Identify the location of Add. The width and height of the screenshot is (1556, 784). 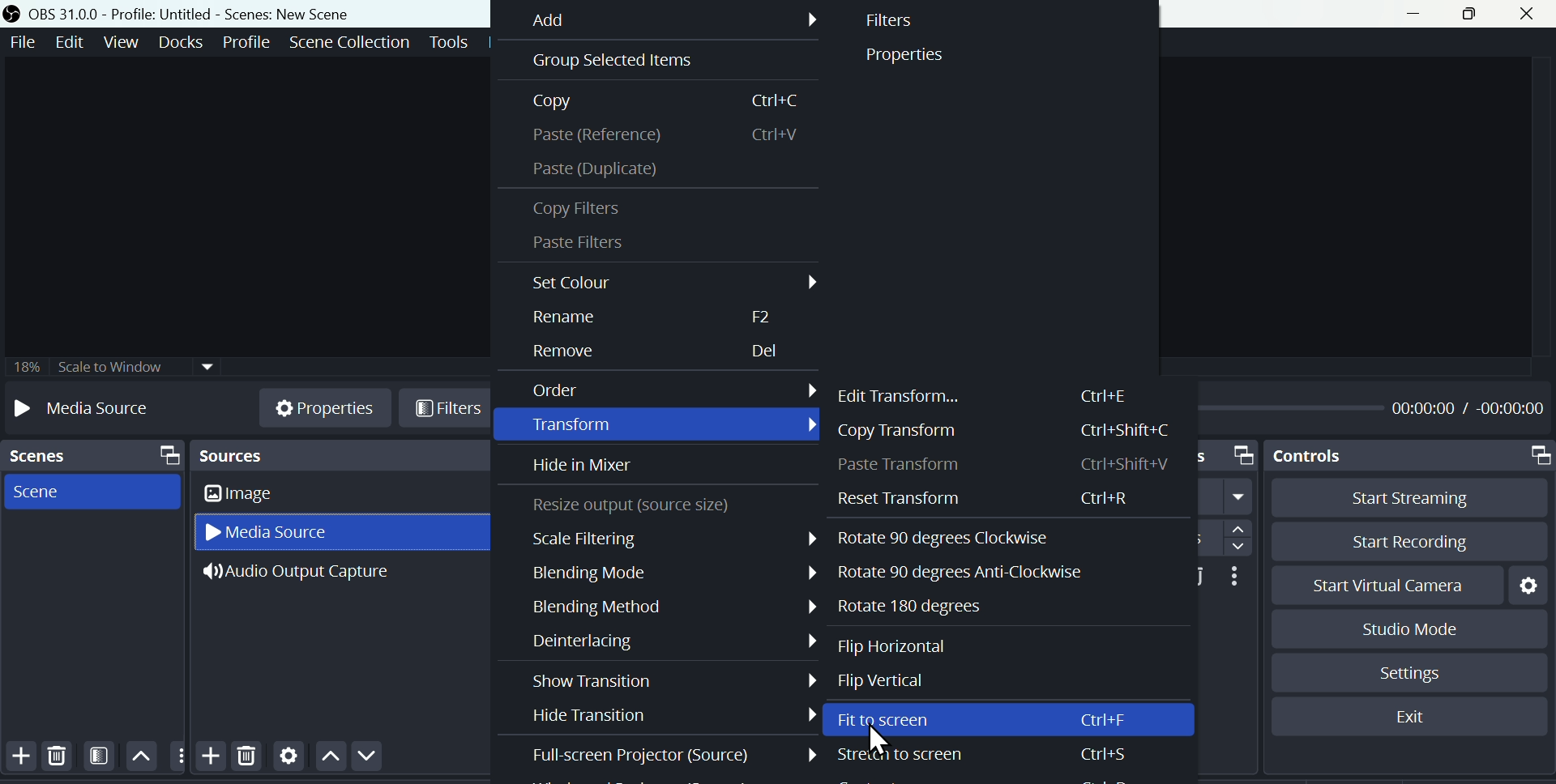
(207, 754).